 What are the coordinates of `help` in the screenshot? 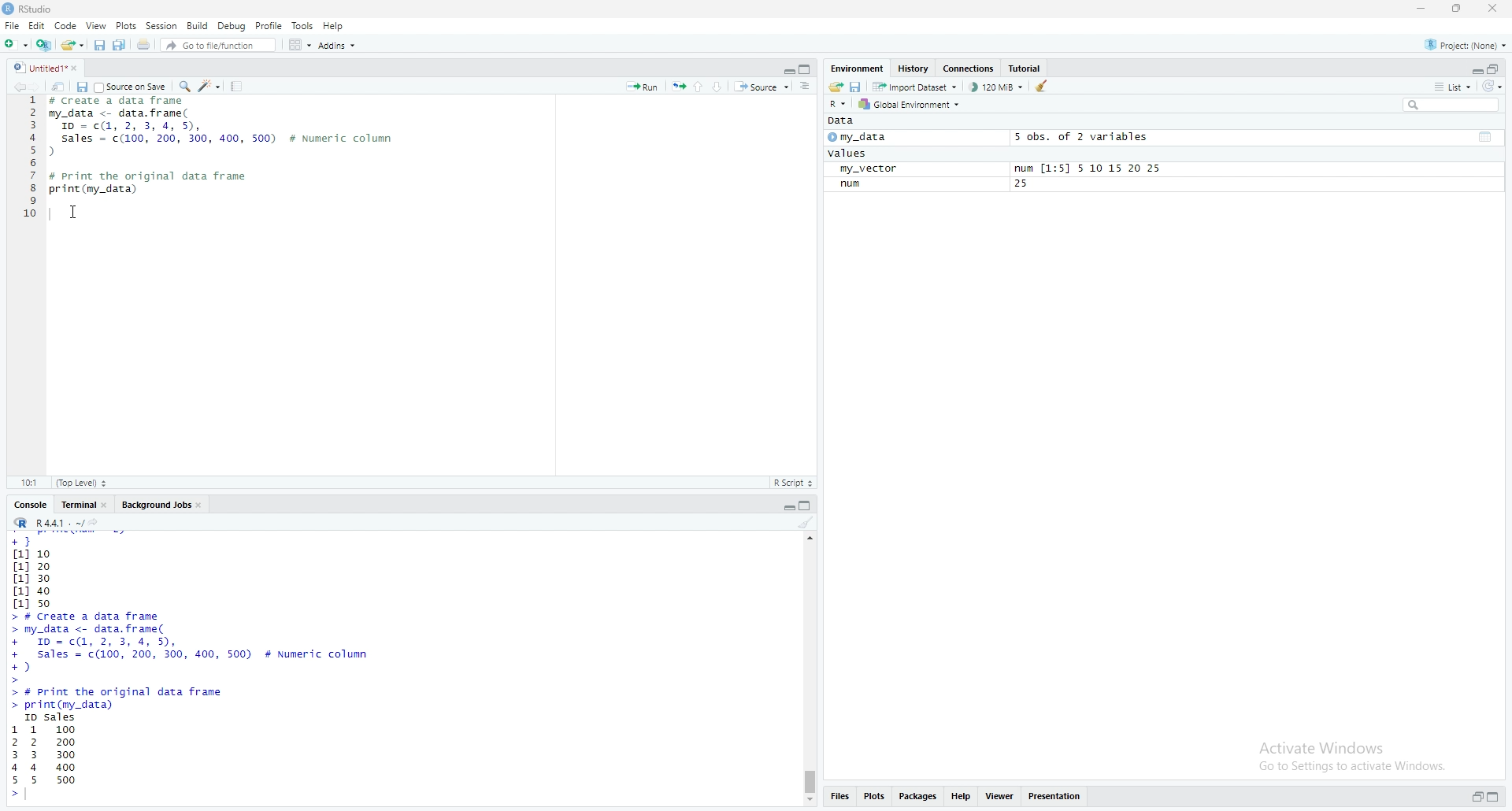 It's located at (962, 799).